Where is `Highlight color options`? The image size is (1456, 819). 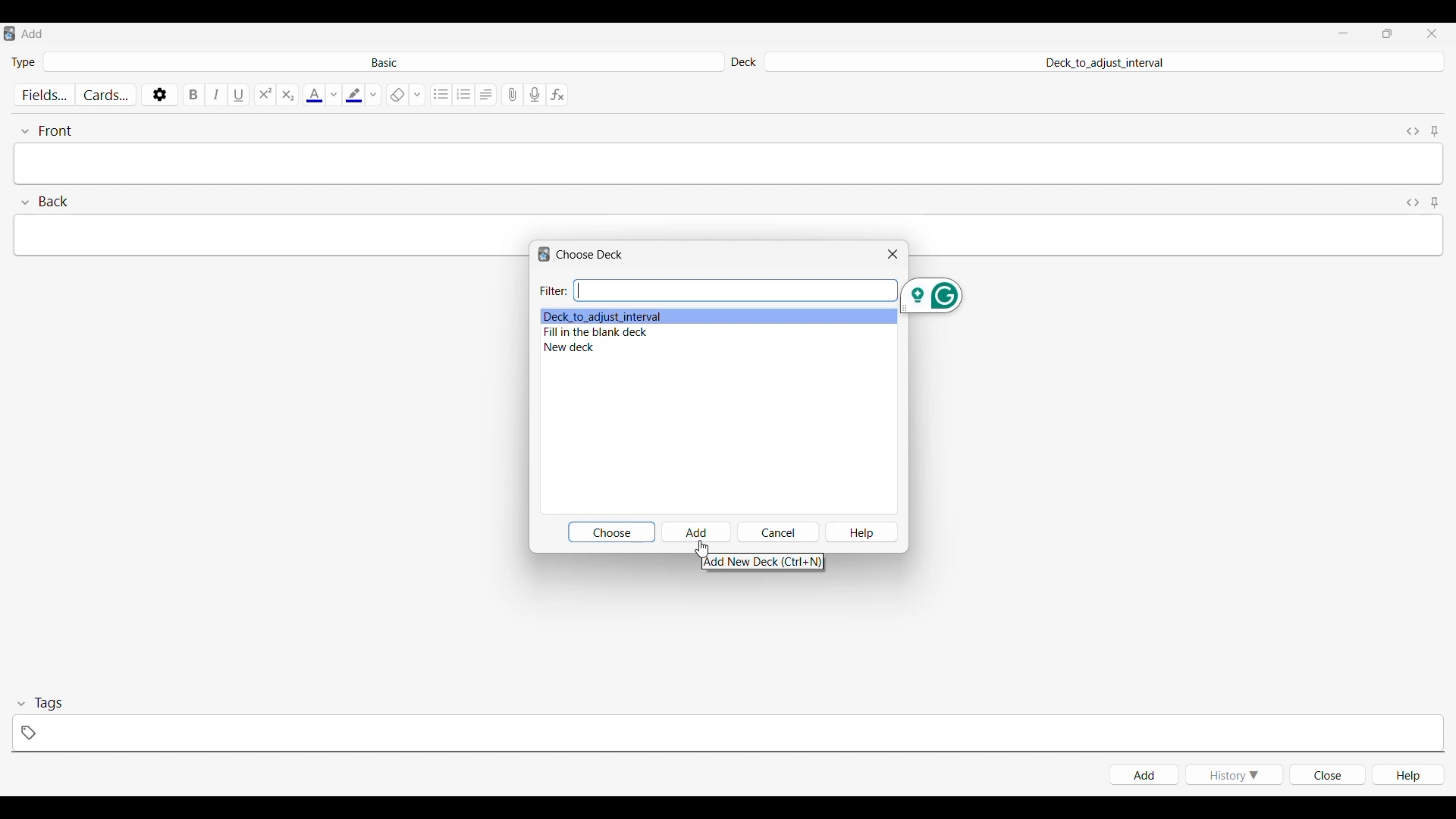 Highlight color options is located at coordinates (374, 94).